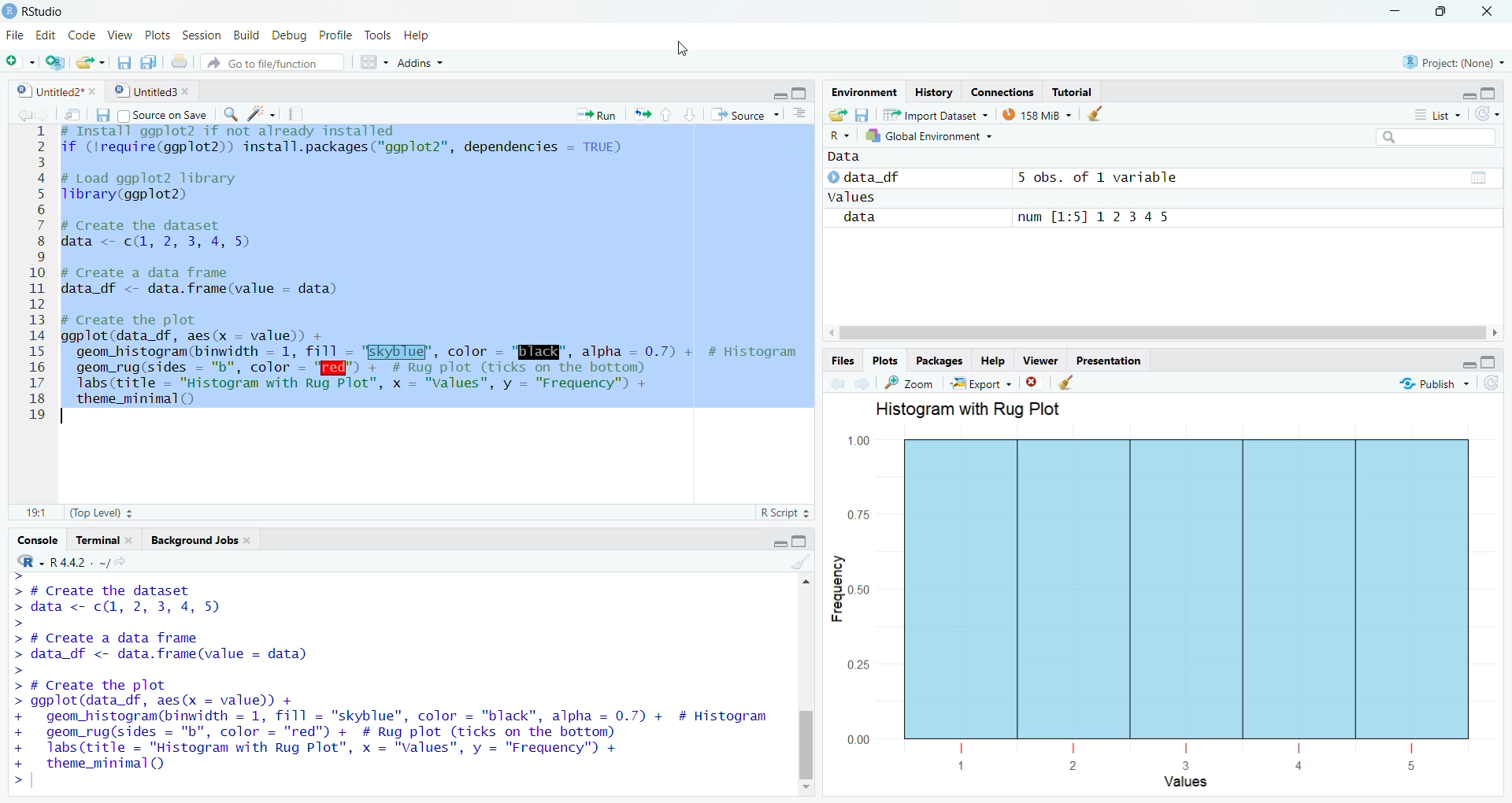 The height and width of the screenshot is (803, 1512). I want to click on ~ Addins ~, so click(434, 61).